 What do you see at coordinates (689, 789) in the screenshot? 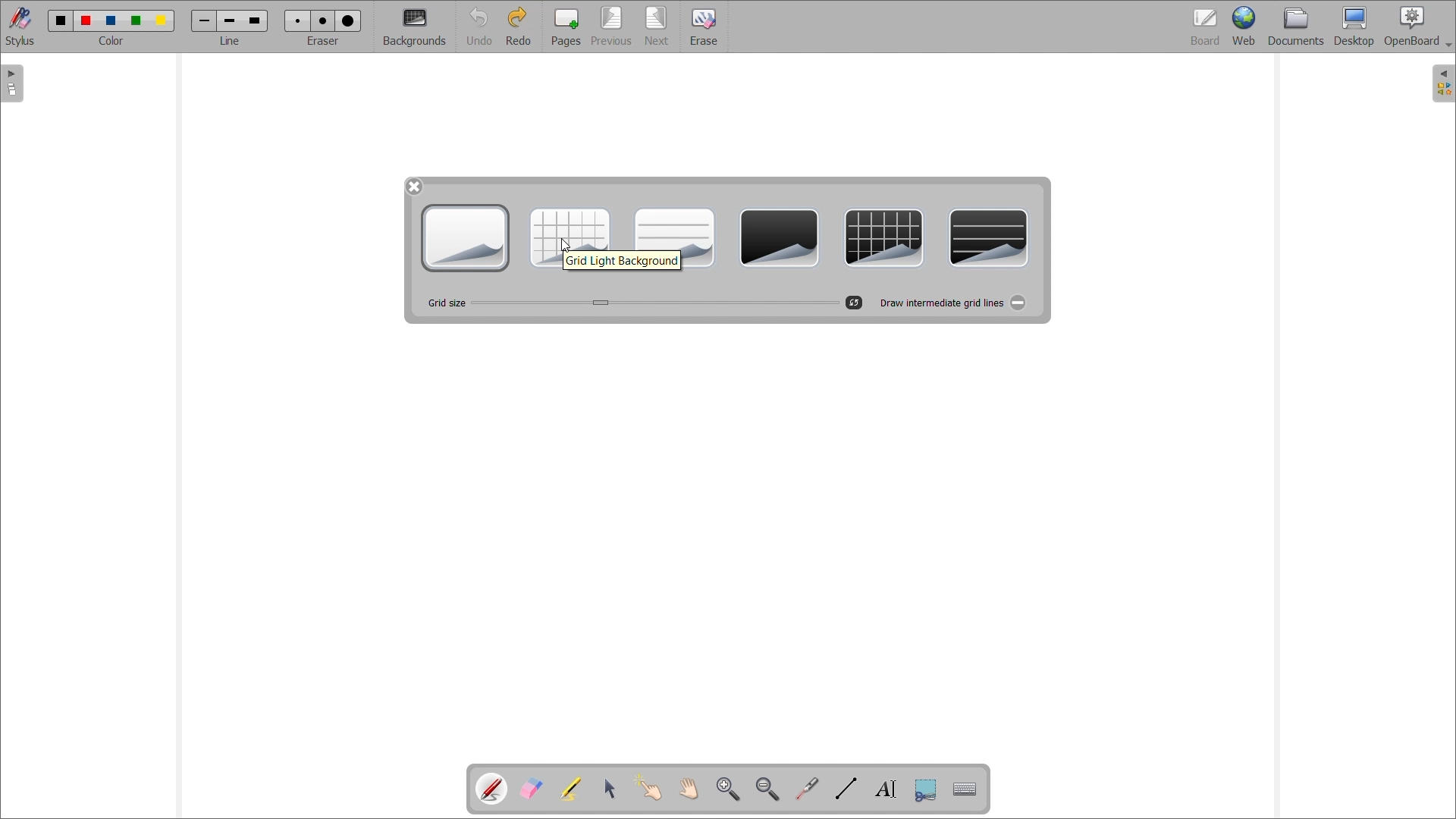
I see `Scroll page` at bounding box center [689, 789].